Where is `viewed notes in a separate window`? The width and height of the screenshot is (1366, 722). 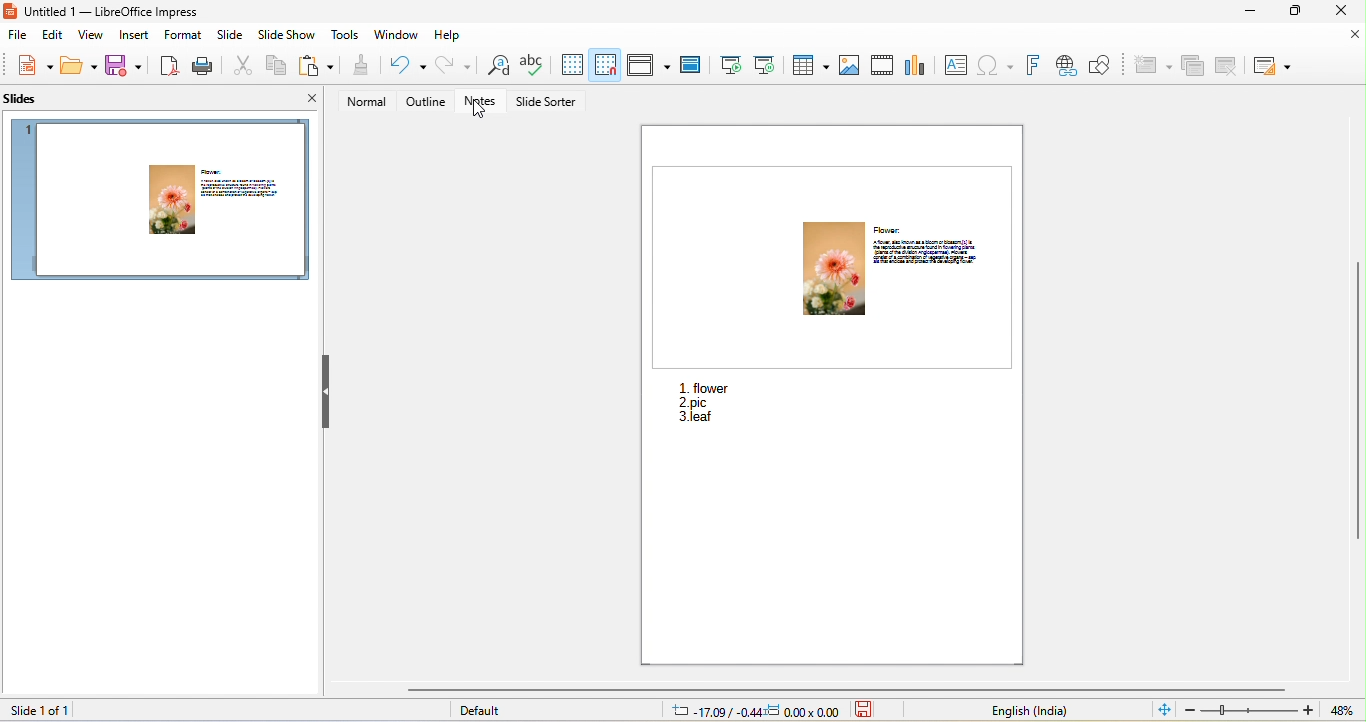 viewed notes in a separate window is located at coordinates (832, 518).